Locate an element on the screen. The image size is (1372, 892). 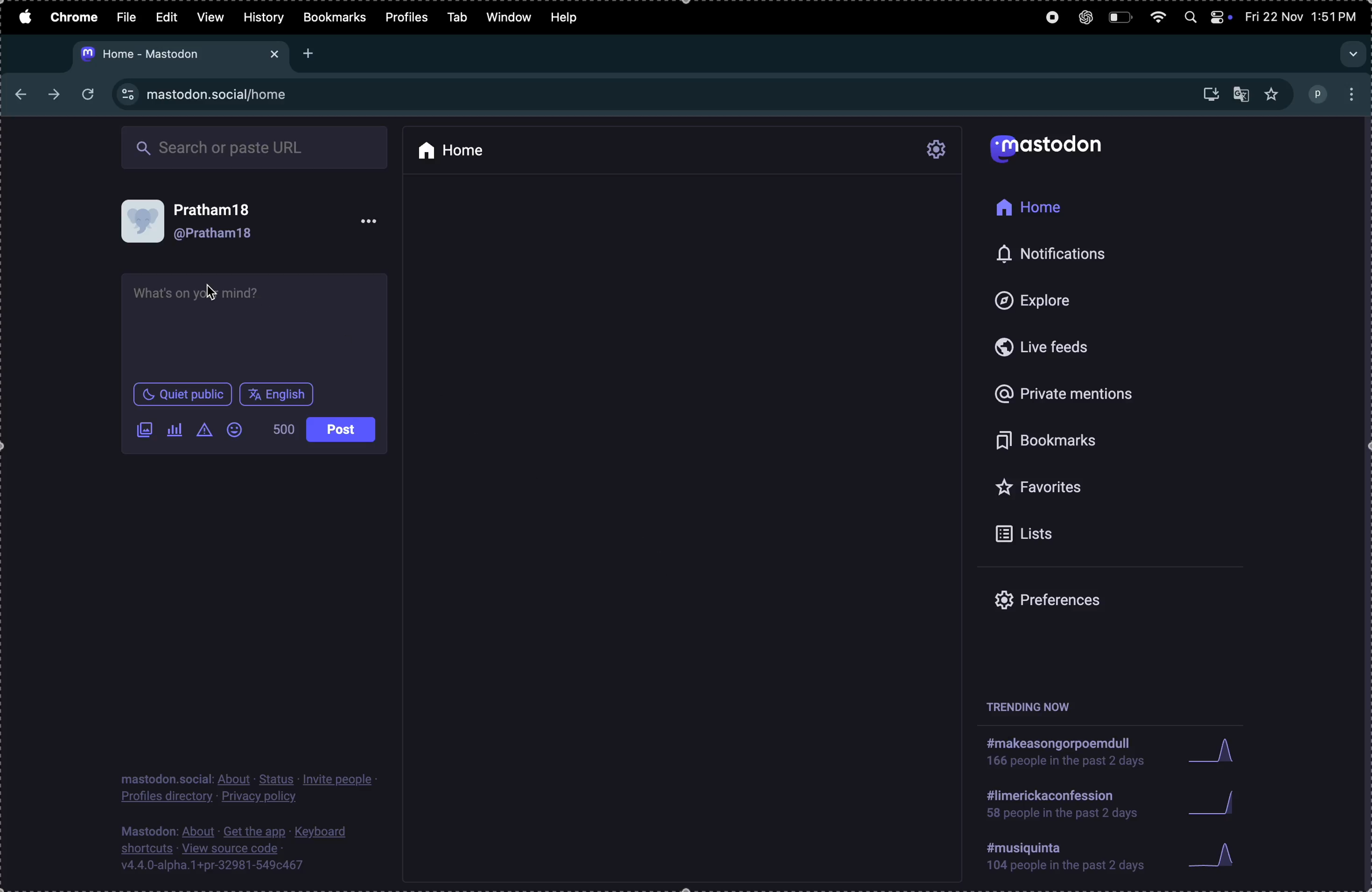
quiet in public is located at coordinates (183, 394).